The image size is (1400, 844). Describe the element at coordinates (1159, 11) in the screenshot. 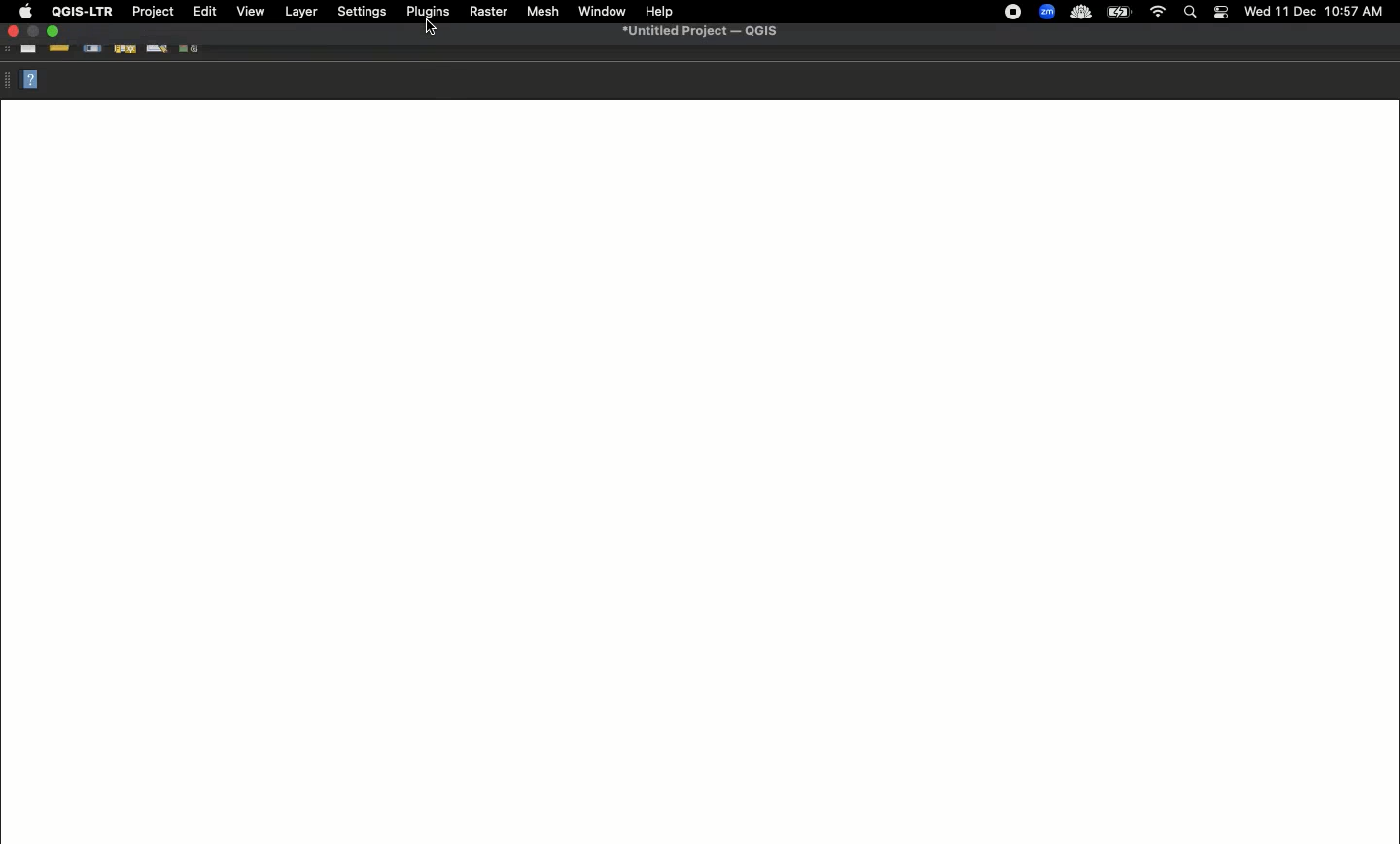

I see `Internet` at that location.